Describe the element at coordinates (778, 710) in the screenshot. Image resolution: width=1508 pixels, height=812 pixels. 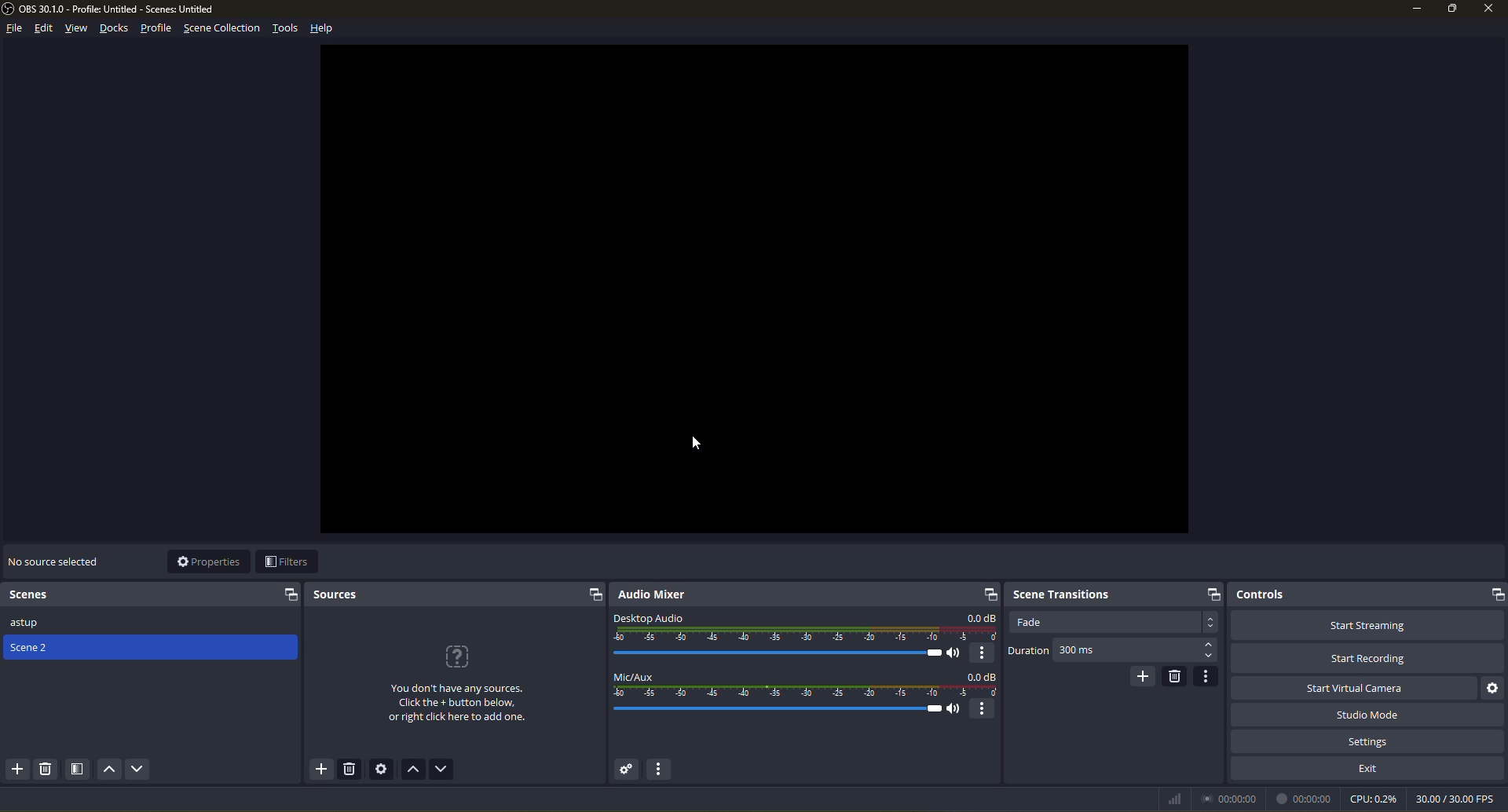
I see `sound level` at that location.